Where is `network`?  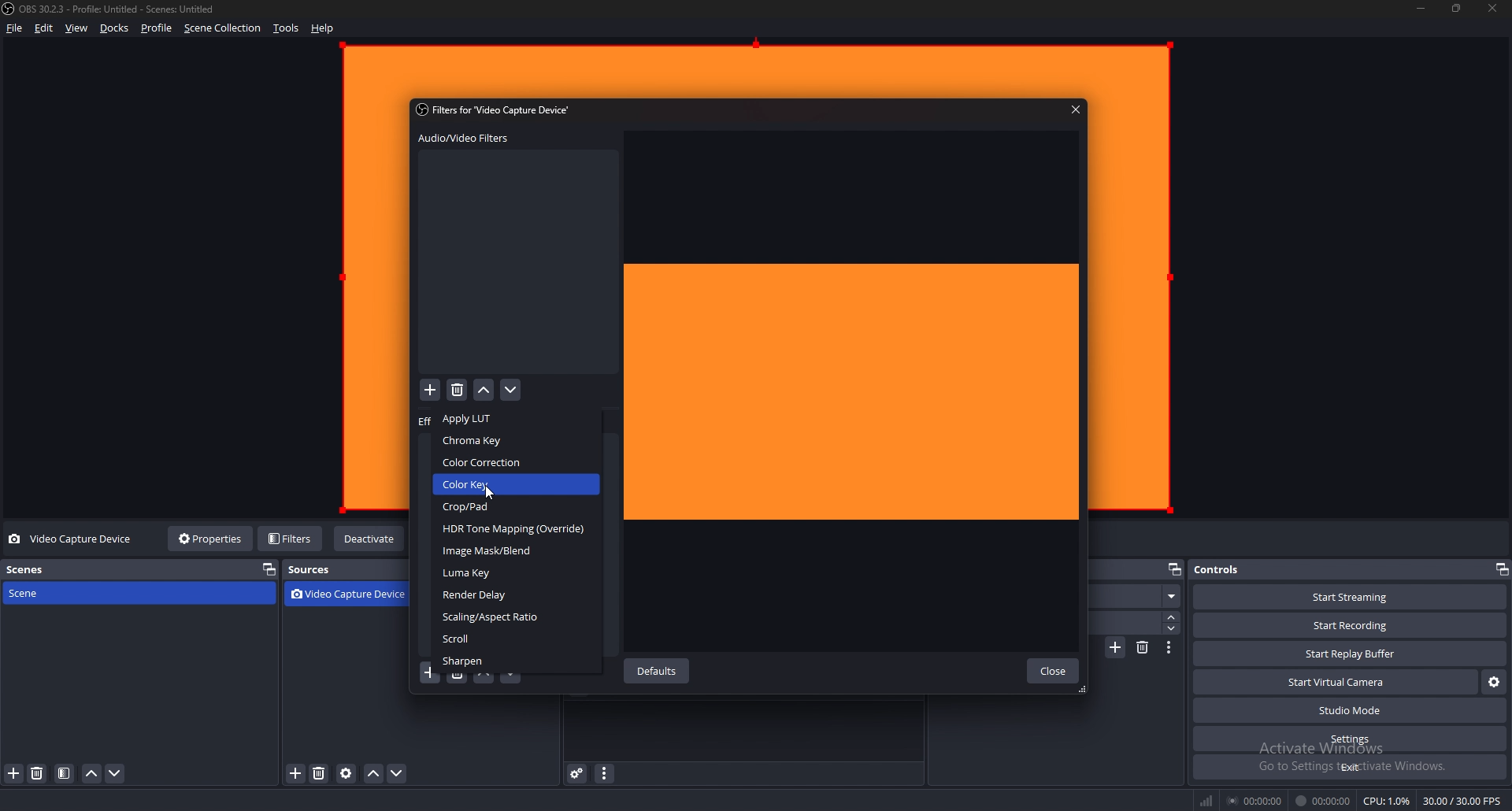 network is located at coordinates (1209, 800).